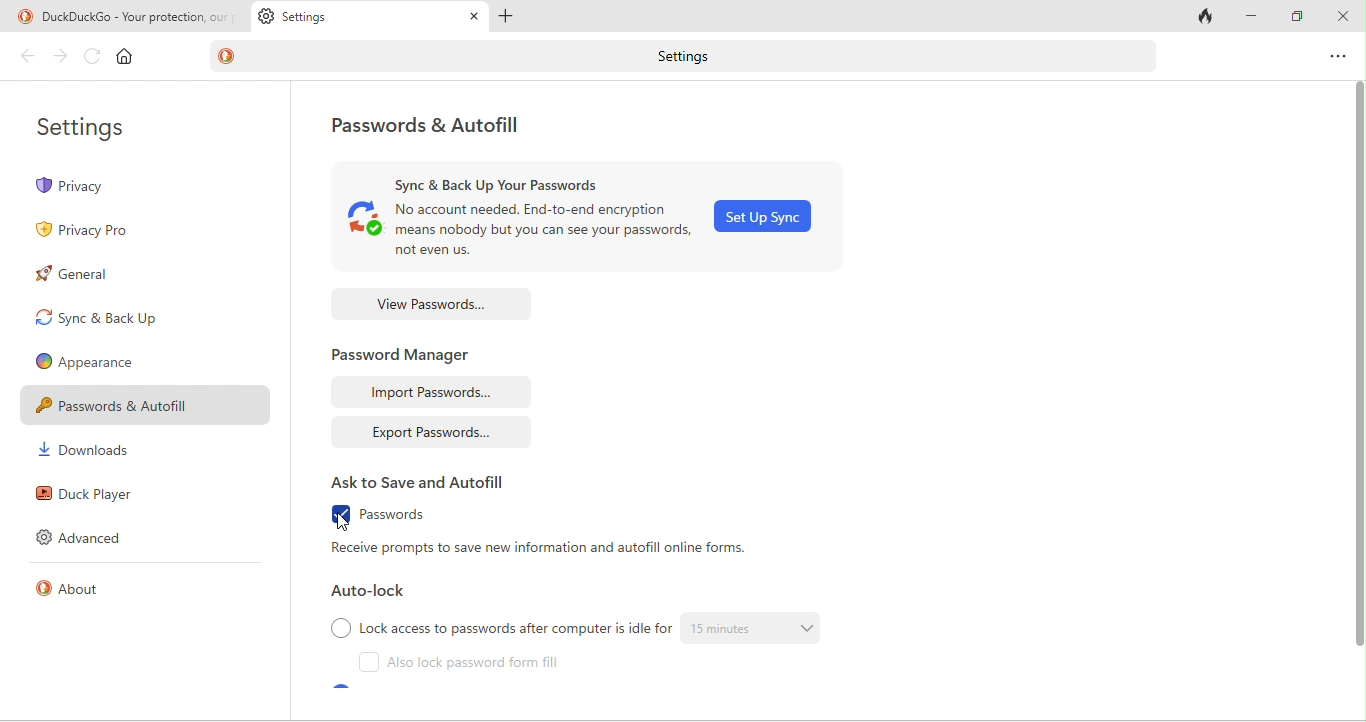 The height and width of the screenshot is (722, 1366). What do you see at coordinates (1336, 57) in the screenshot?
I see `option` at bounding box center [1336, 57].